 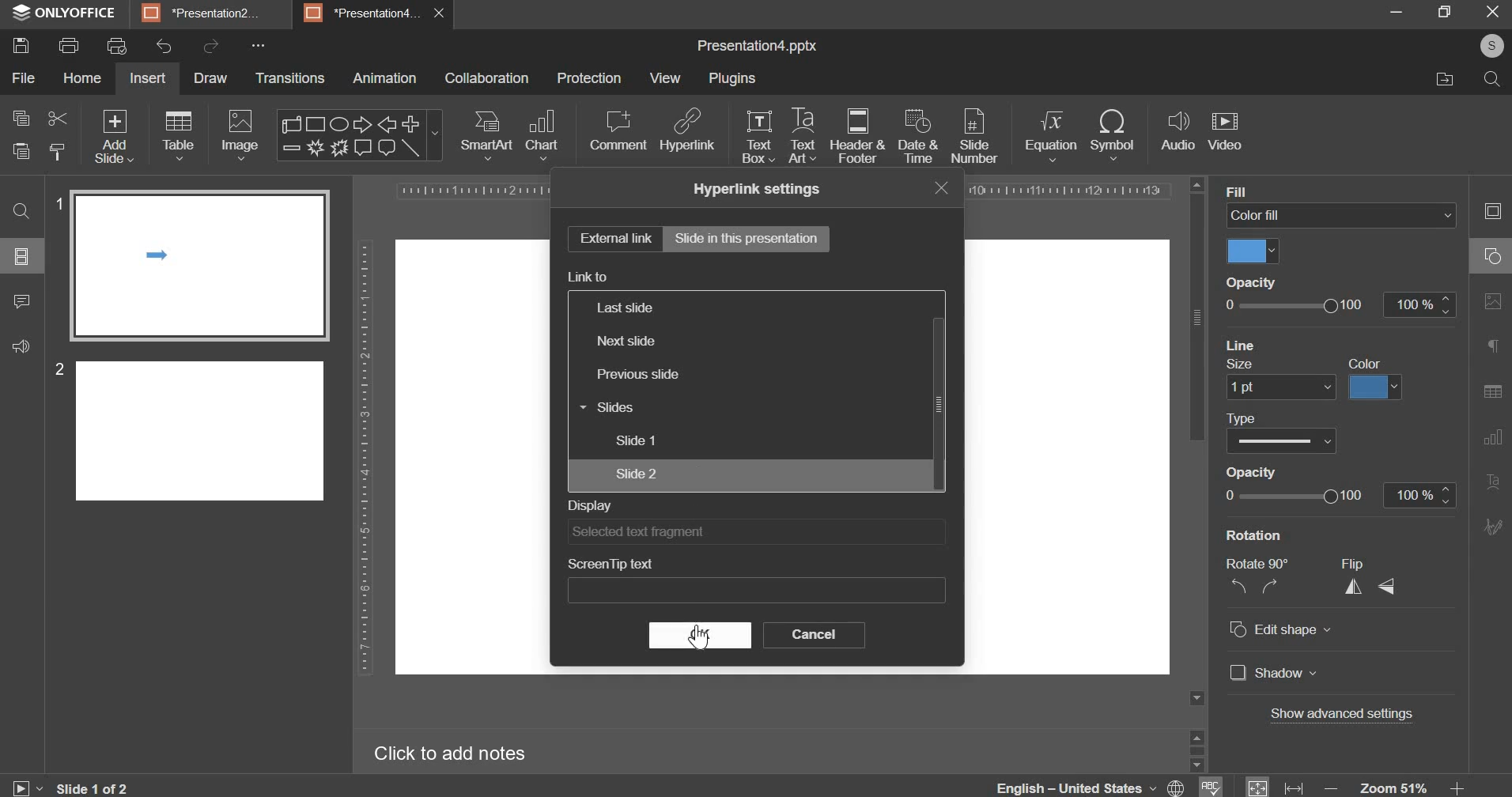 I want to click on audio, so click(x=1177, y=132).